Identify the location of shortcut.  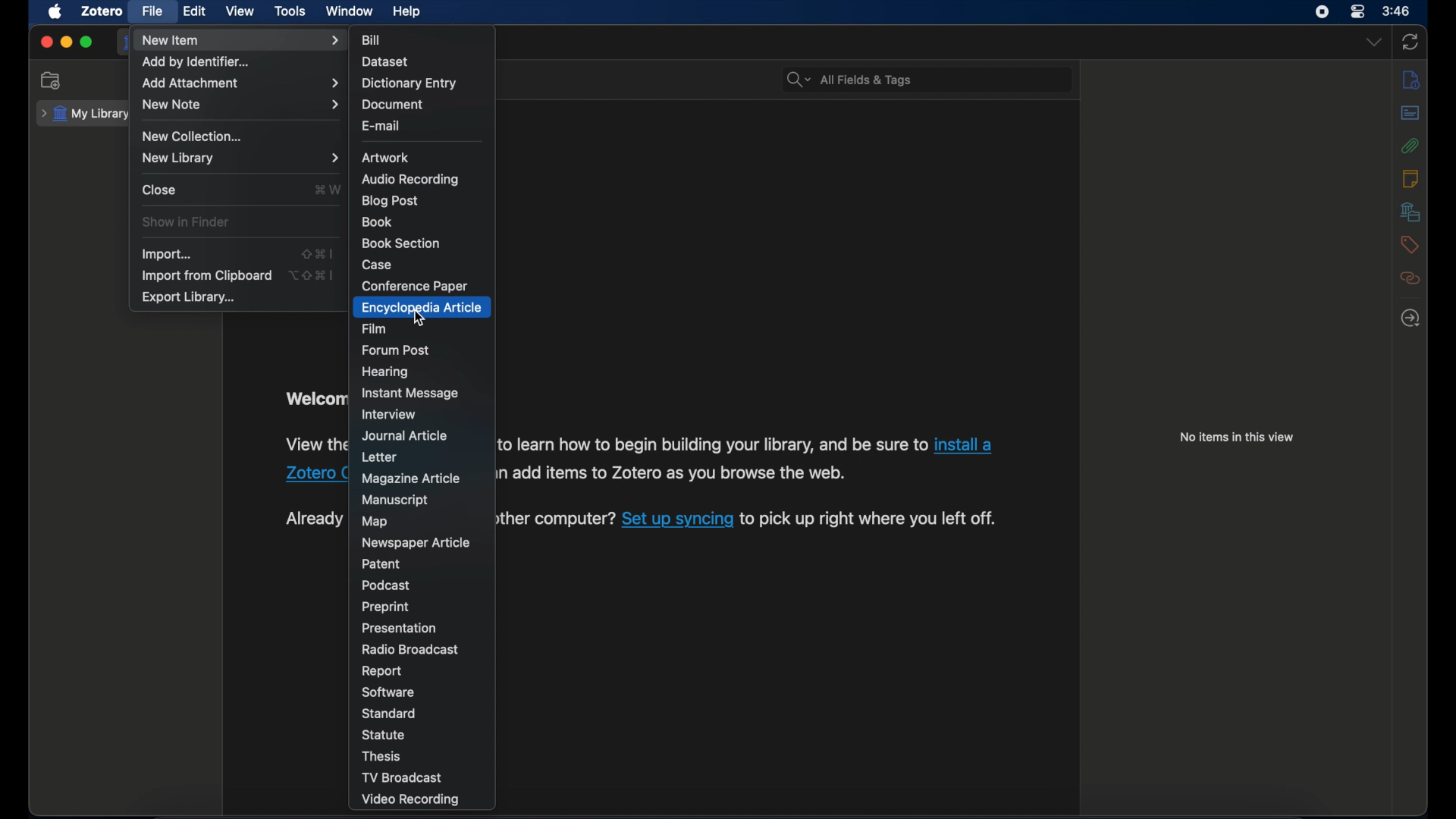
(317, 253).